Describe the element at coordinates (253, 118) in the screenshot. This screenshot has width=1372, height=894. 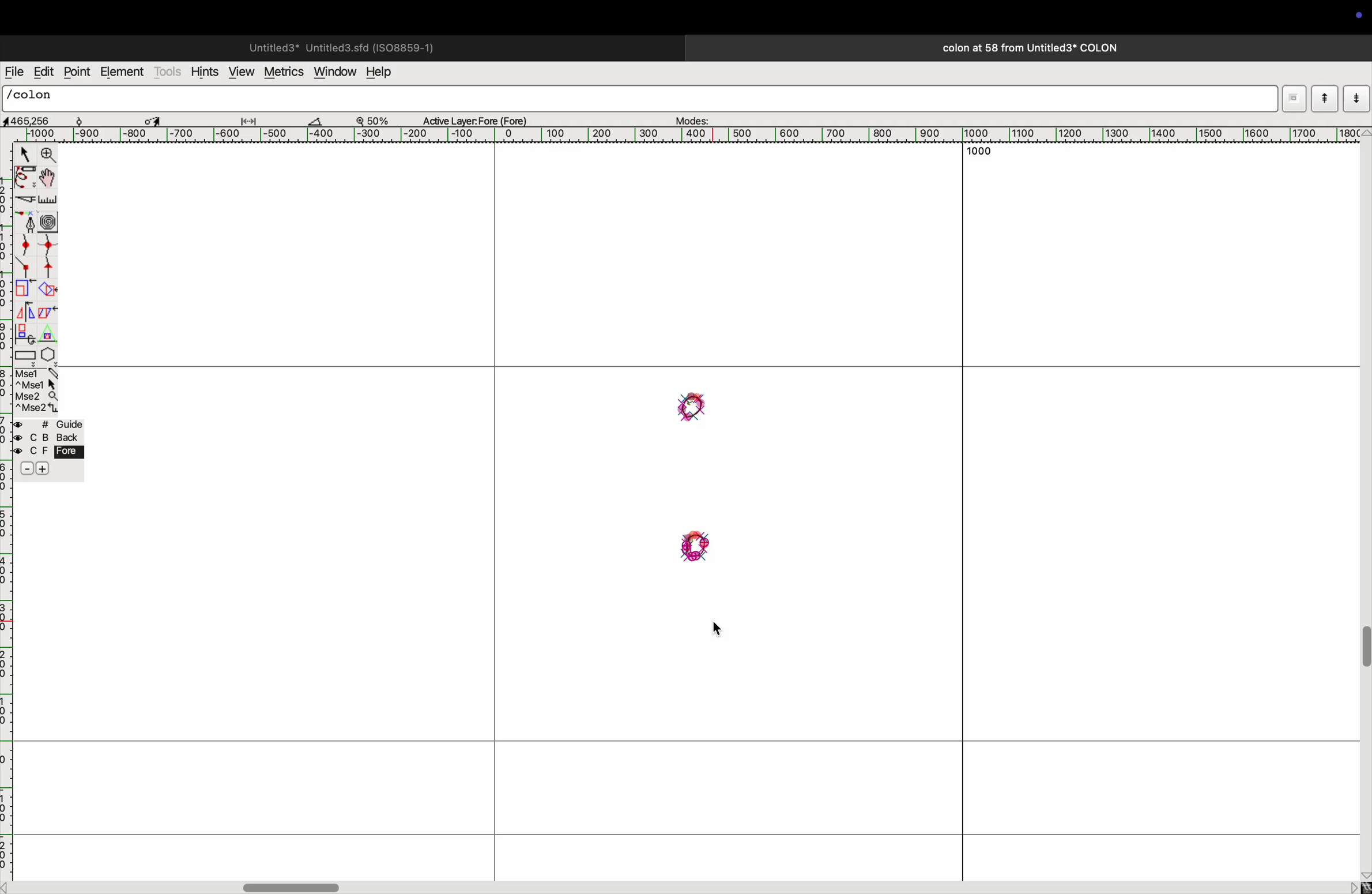
I see `adjust` at that location.